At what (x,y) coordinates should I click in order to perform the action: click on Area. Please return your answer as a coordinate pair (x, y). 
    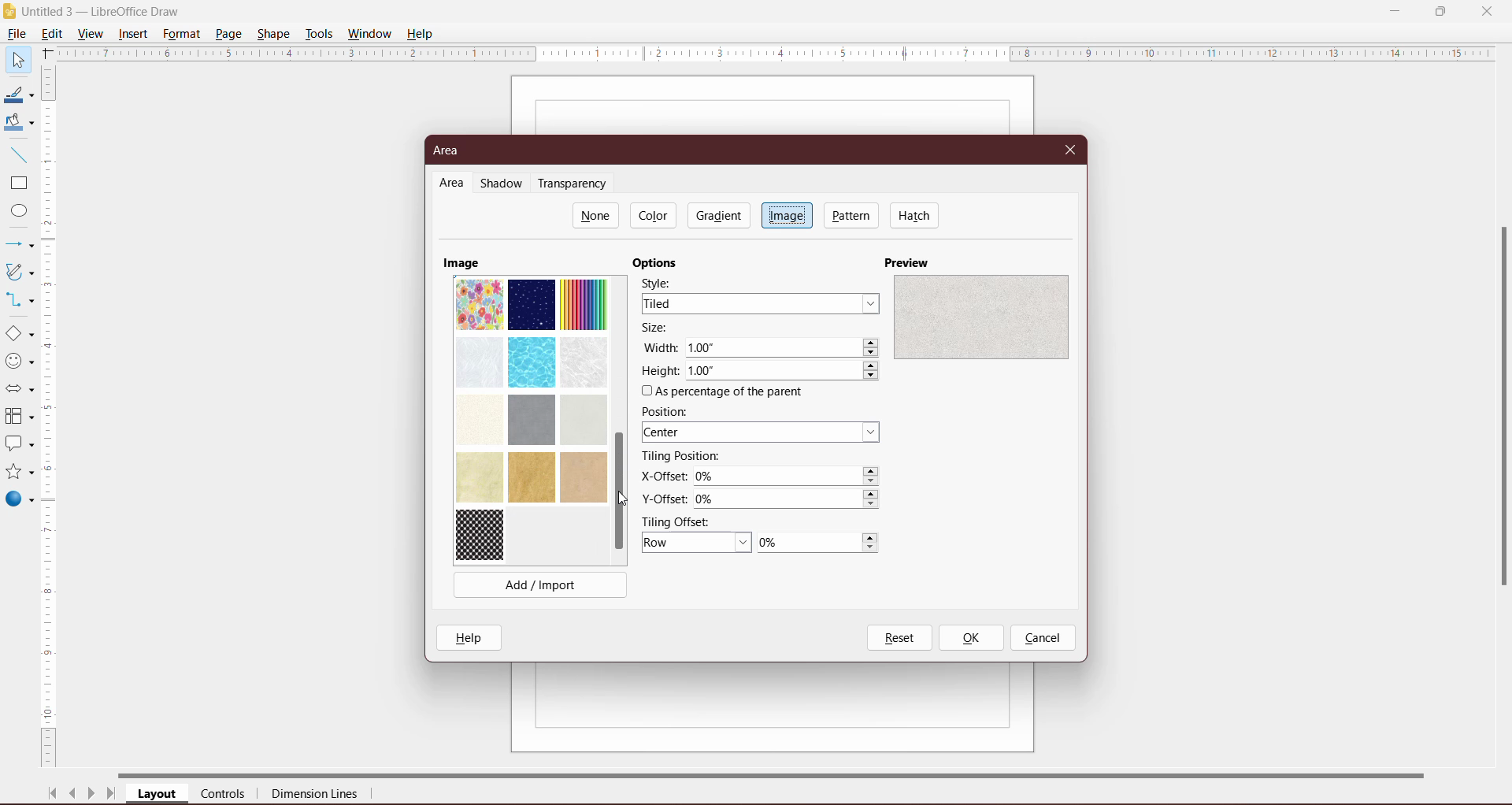
    Looking at the image, I should click on (451, 150).